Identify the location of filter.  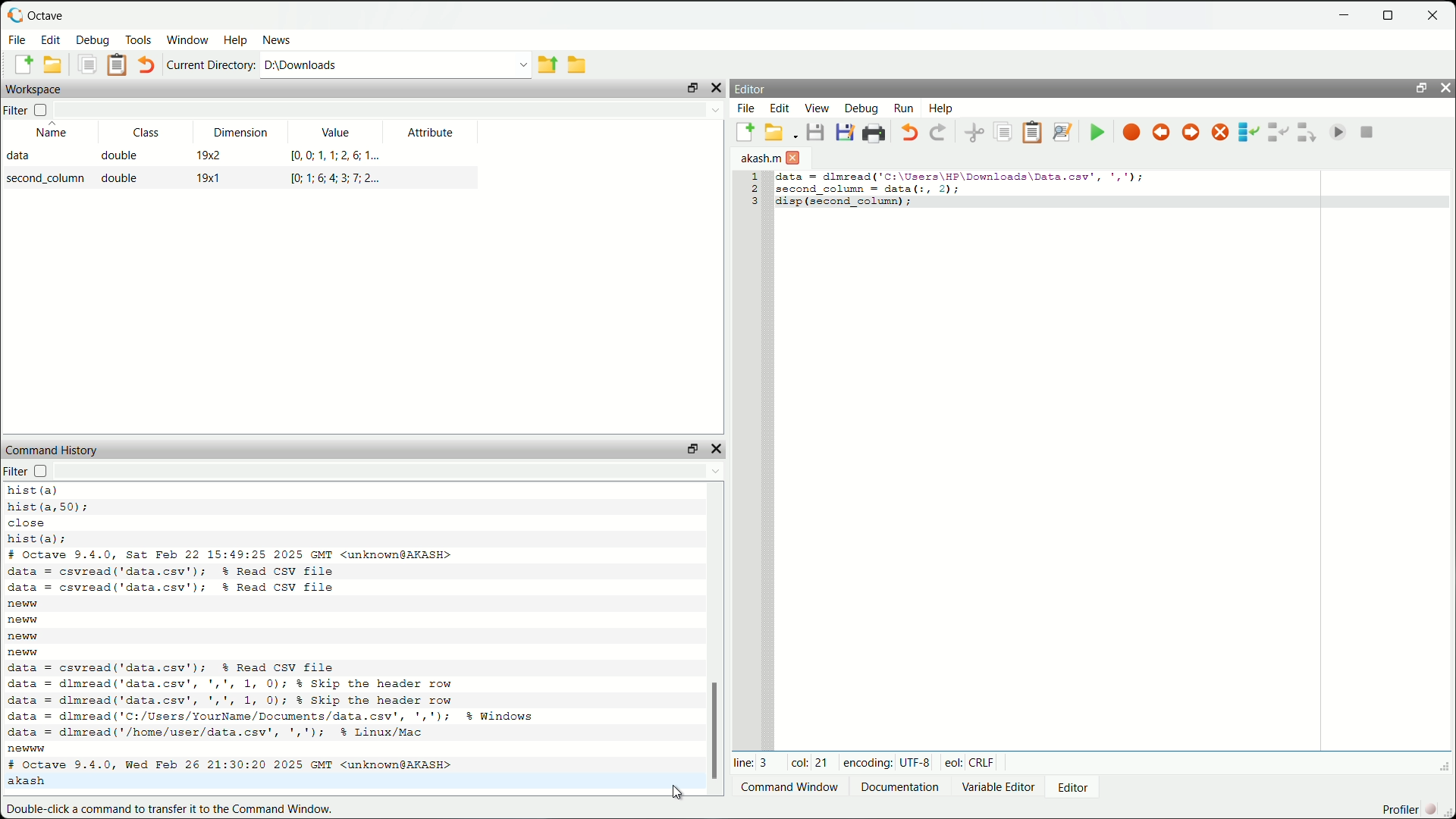
(28, 111).